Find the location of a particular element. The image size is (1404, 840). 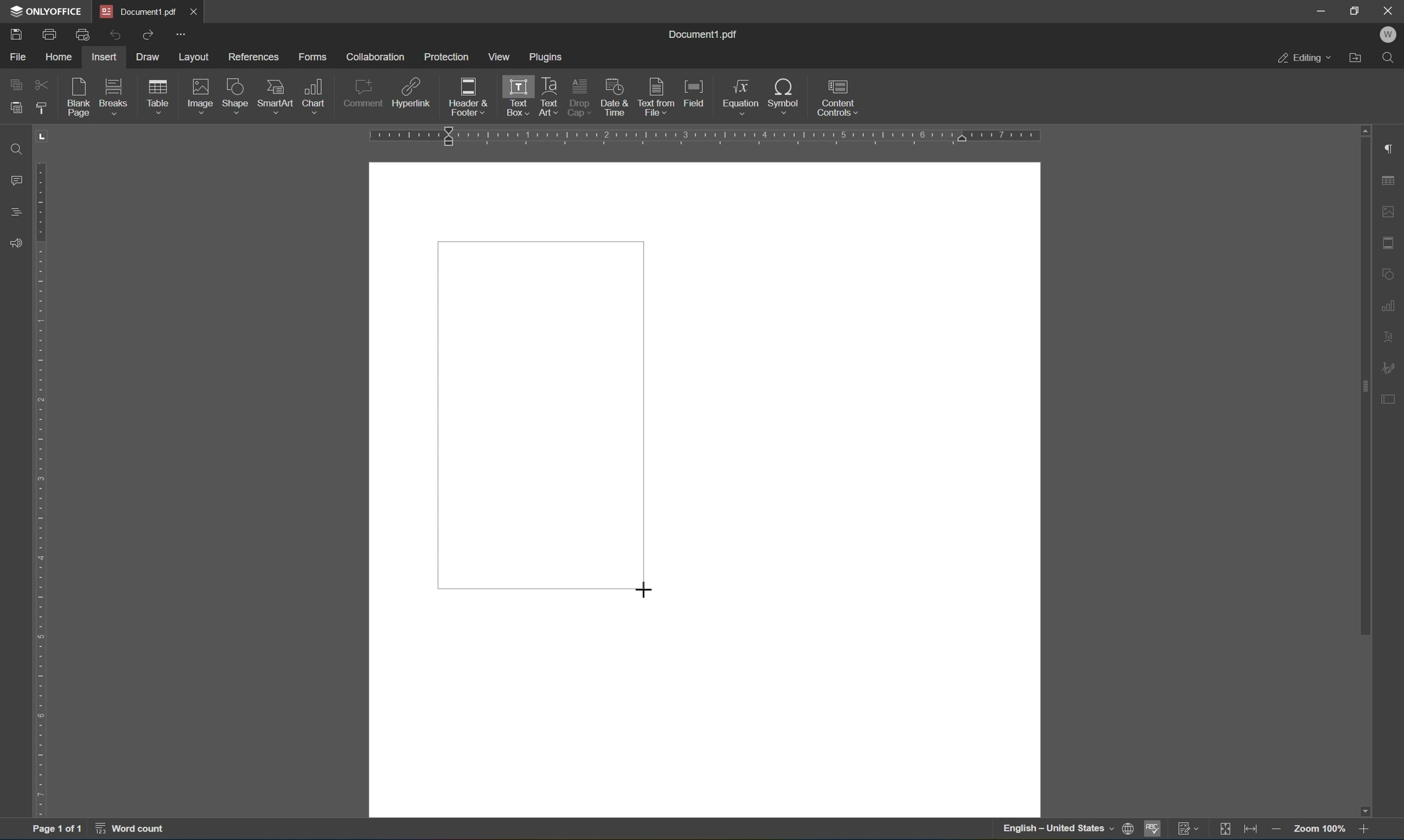

draw is located at coordinates (150, 55).